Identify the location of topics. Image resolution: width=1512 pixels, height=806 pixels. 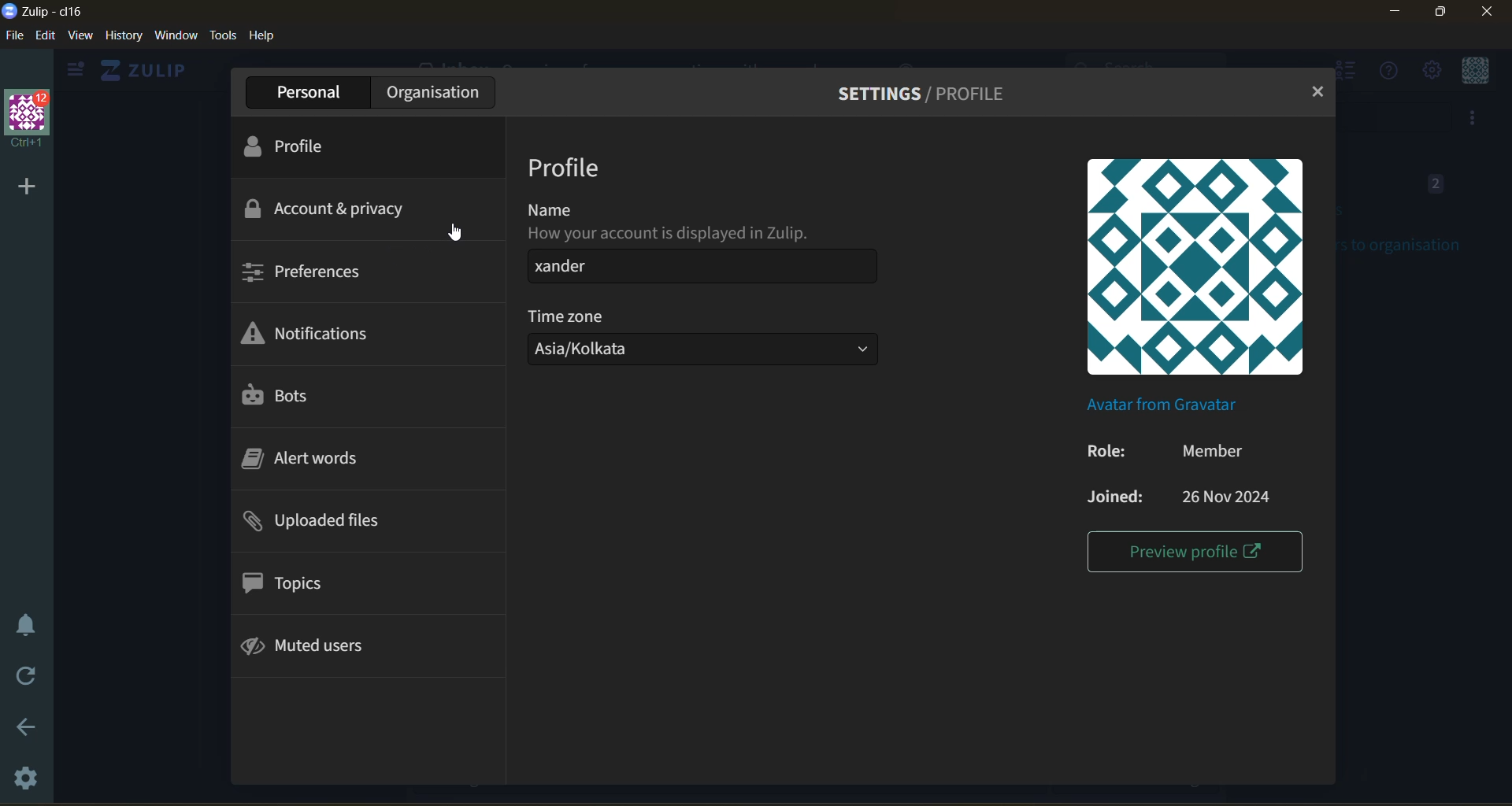
(287, 582).